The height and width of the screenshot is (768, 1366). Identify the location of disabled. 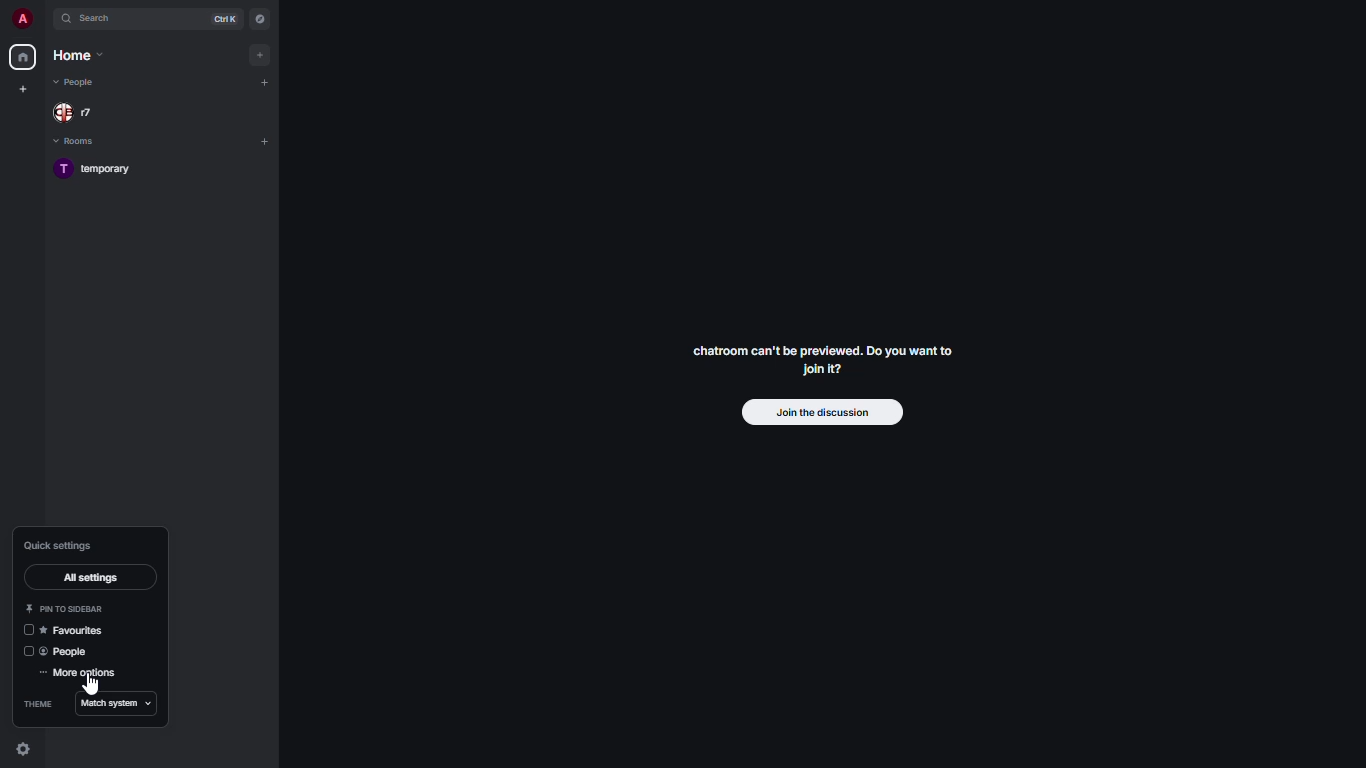
(28, 630).